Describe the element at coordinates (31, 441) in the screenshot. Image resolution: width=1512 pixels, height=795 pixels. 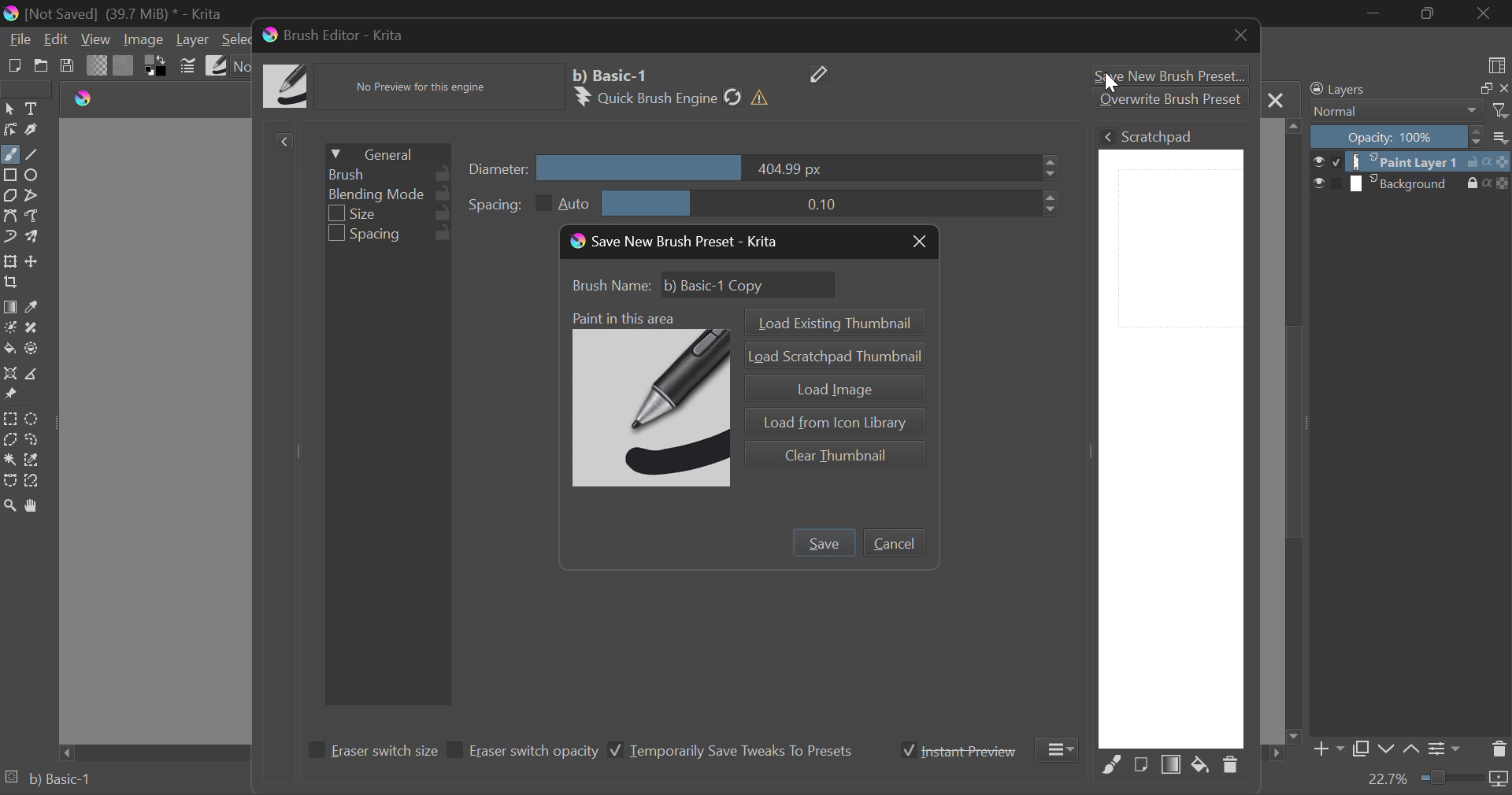
I see `Freehand Selection` at that location.